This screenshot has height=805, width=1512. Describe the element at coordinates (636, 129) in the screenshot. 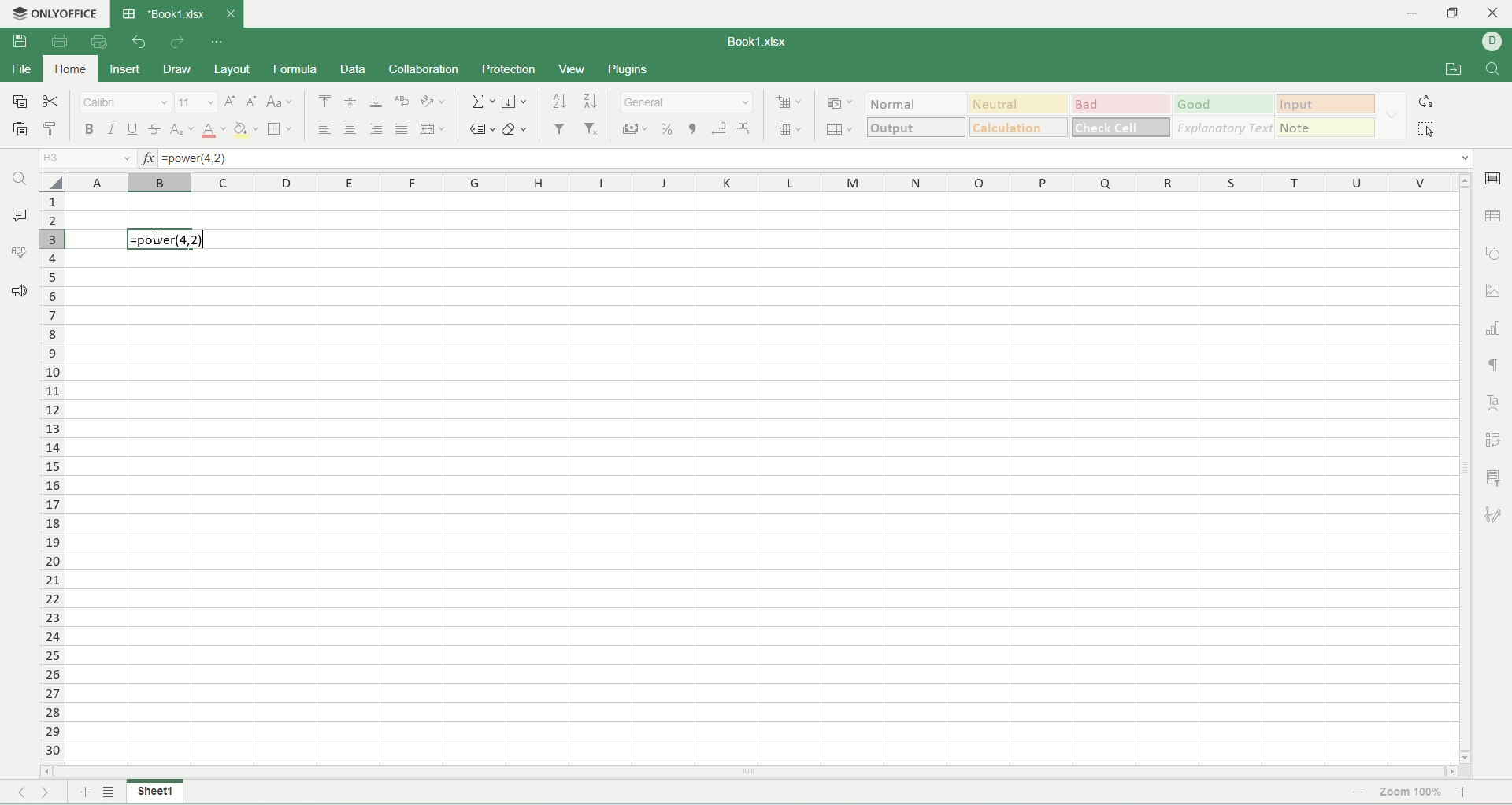

I see `accounting style` at that location.